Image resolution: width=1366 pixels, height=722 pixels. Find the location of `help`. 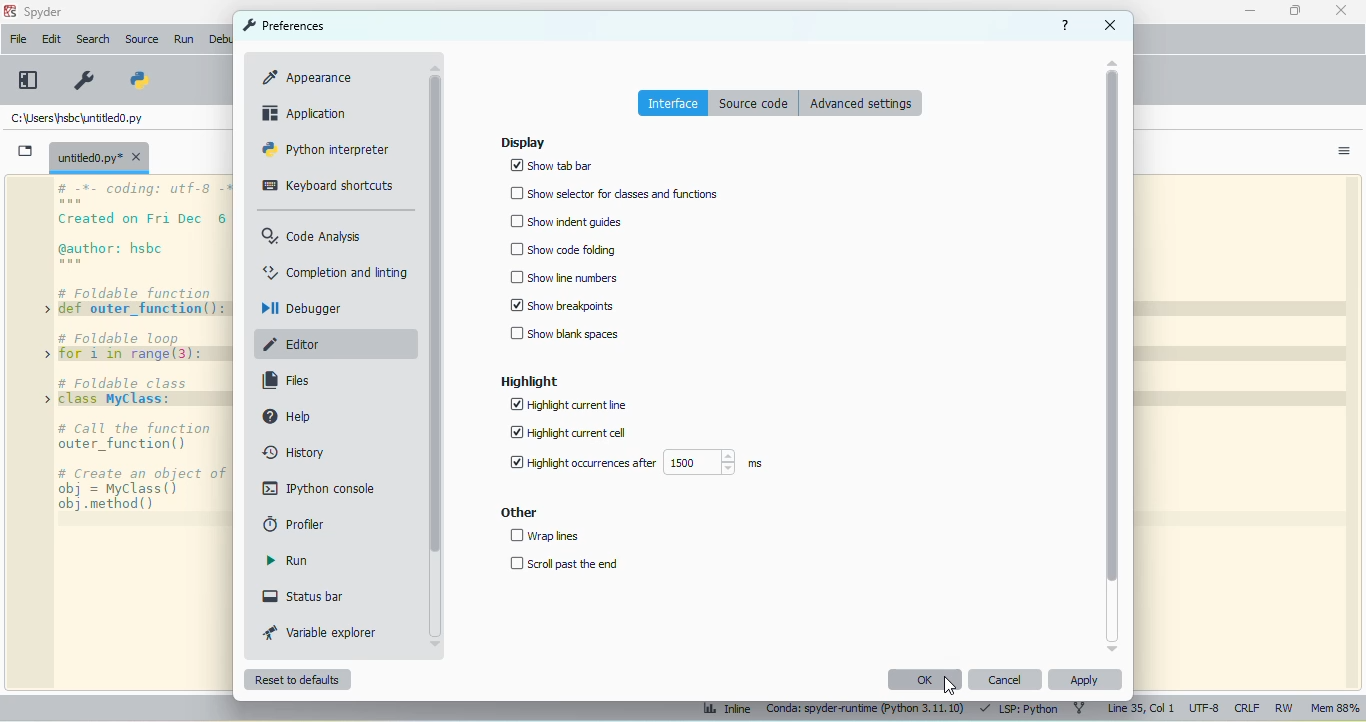

help is located at coordinates (287, 416).